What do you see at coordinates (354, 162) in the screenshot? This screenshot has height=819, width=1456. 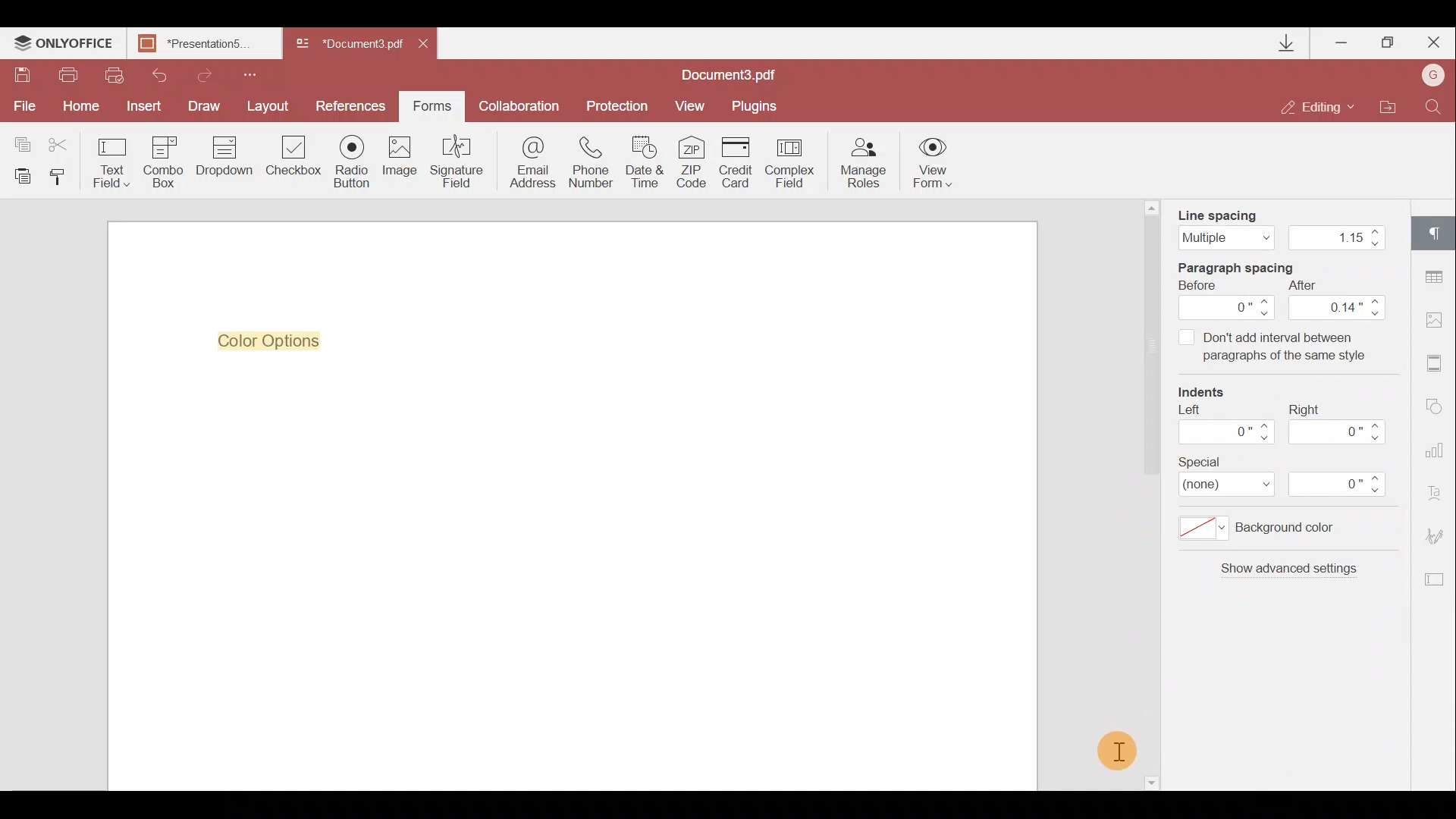 I see `Radio` at bounding box center [354, 162].